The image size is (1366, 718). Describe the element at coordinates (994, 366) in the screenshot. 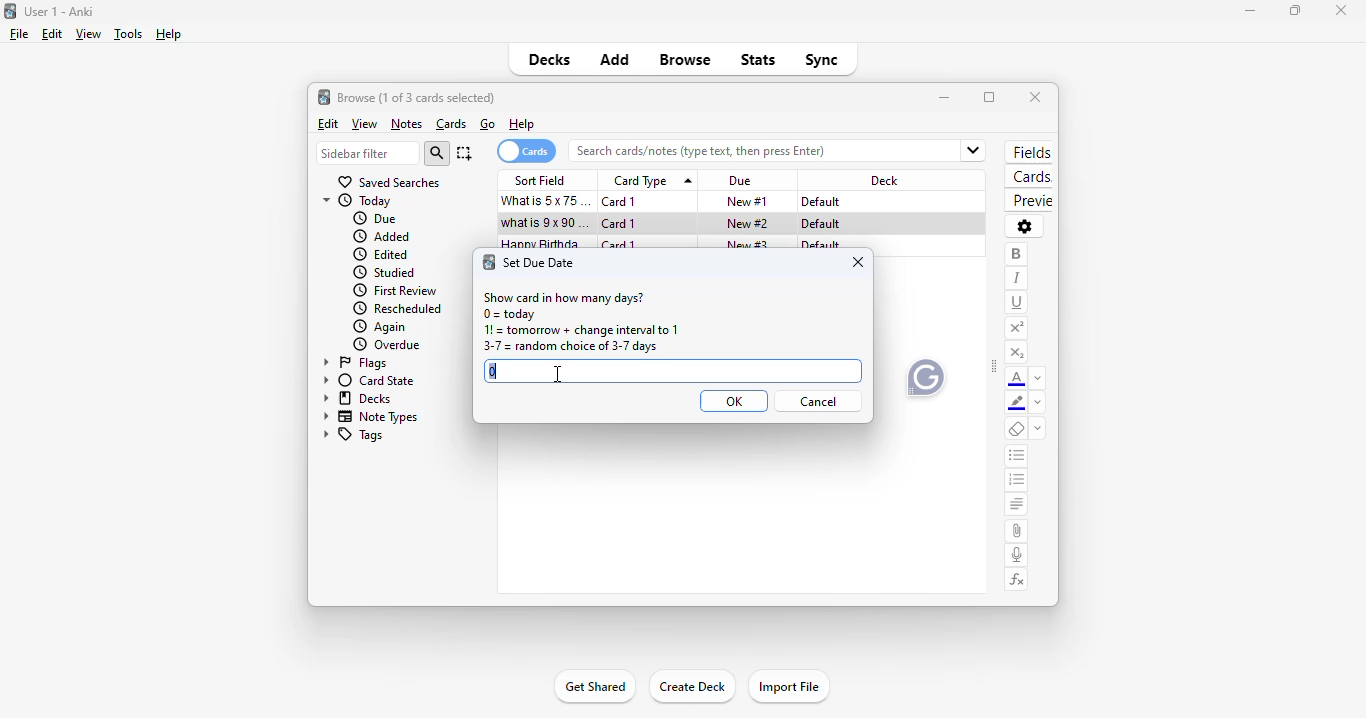

I see `toggle sidebar` at that location.